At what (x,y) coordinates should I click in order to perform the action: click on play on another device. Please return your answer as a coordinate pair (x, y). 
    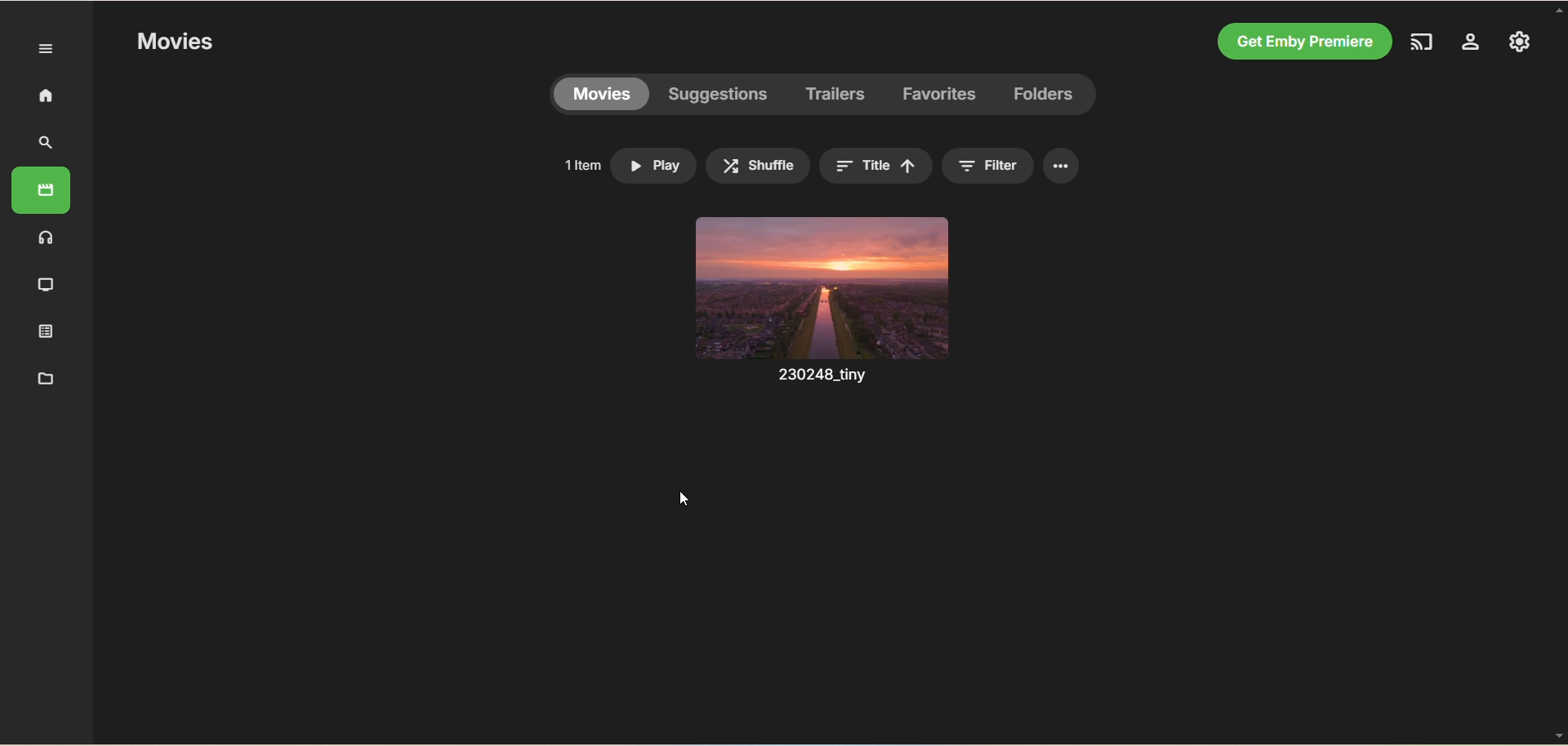
    Looking at the image, I should click on (1419, 41).